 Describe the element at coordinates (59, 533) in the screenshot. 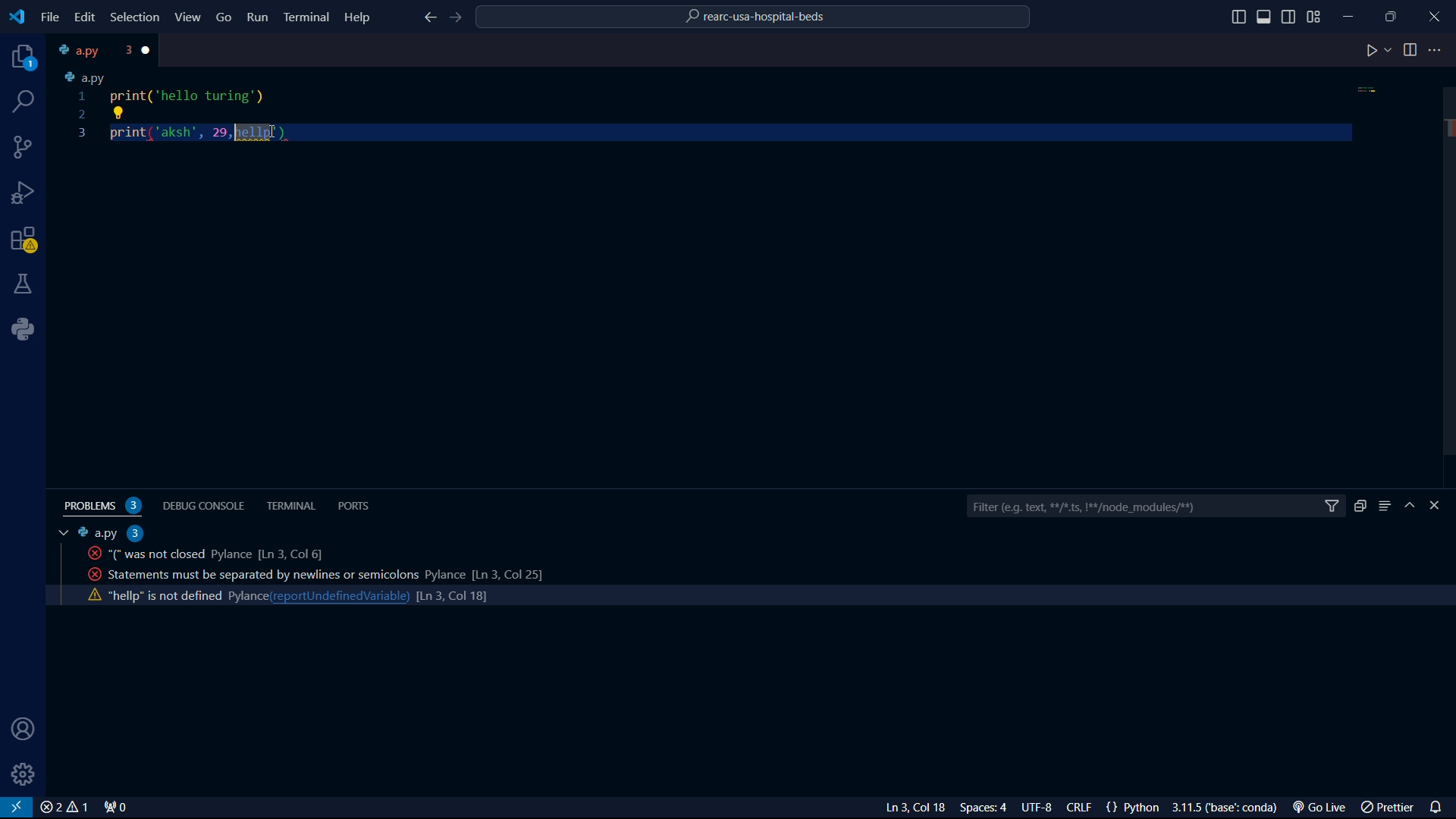

I see `tab` at that location.